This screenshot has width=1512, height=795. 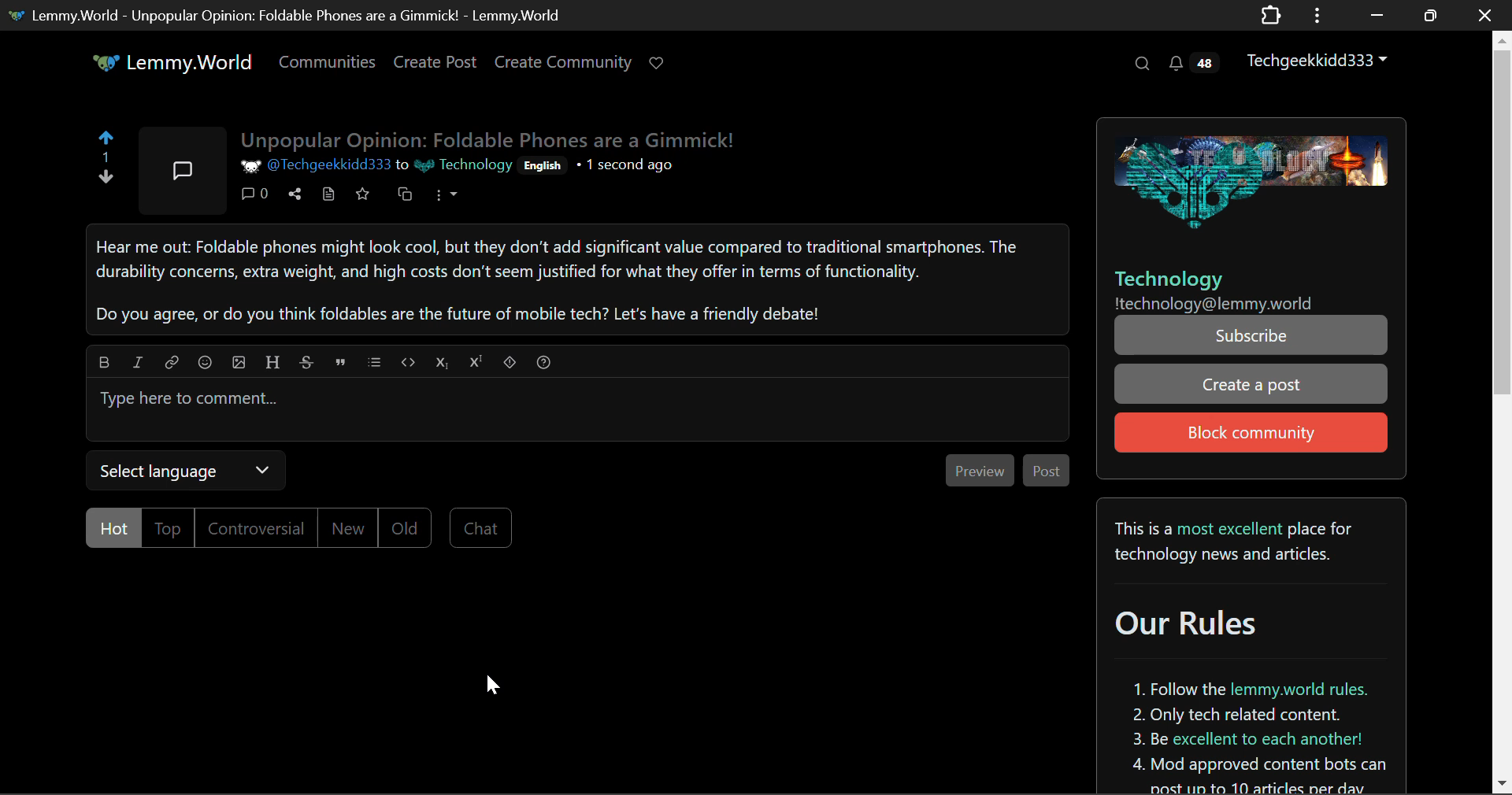 What do you see at coordinates (407, 361) in the screenshot?
I see `code` at bounding box center [407, 361].